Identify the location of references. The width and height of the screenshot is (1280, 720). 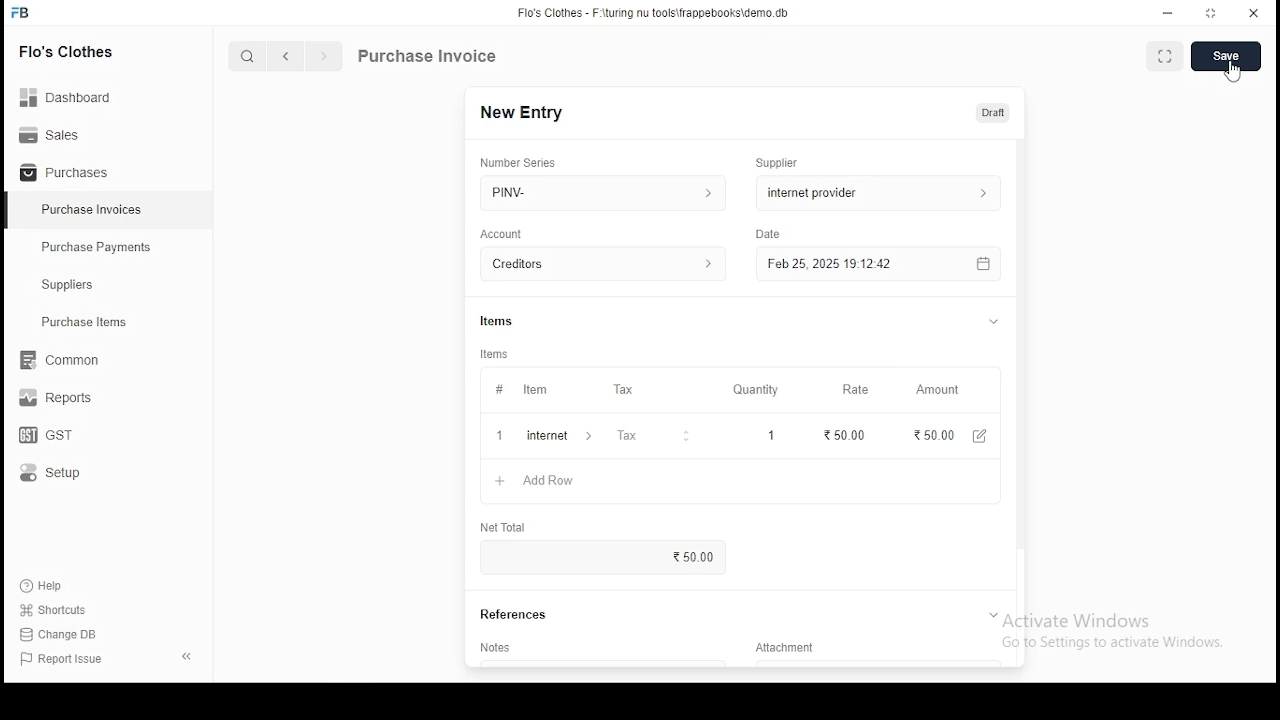
(515, 615).